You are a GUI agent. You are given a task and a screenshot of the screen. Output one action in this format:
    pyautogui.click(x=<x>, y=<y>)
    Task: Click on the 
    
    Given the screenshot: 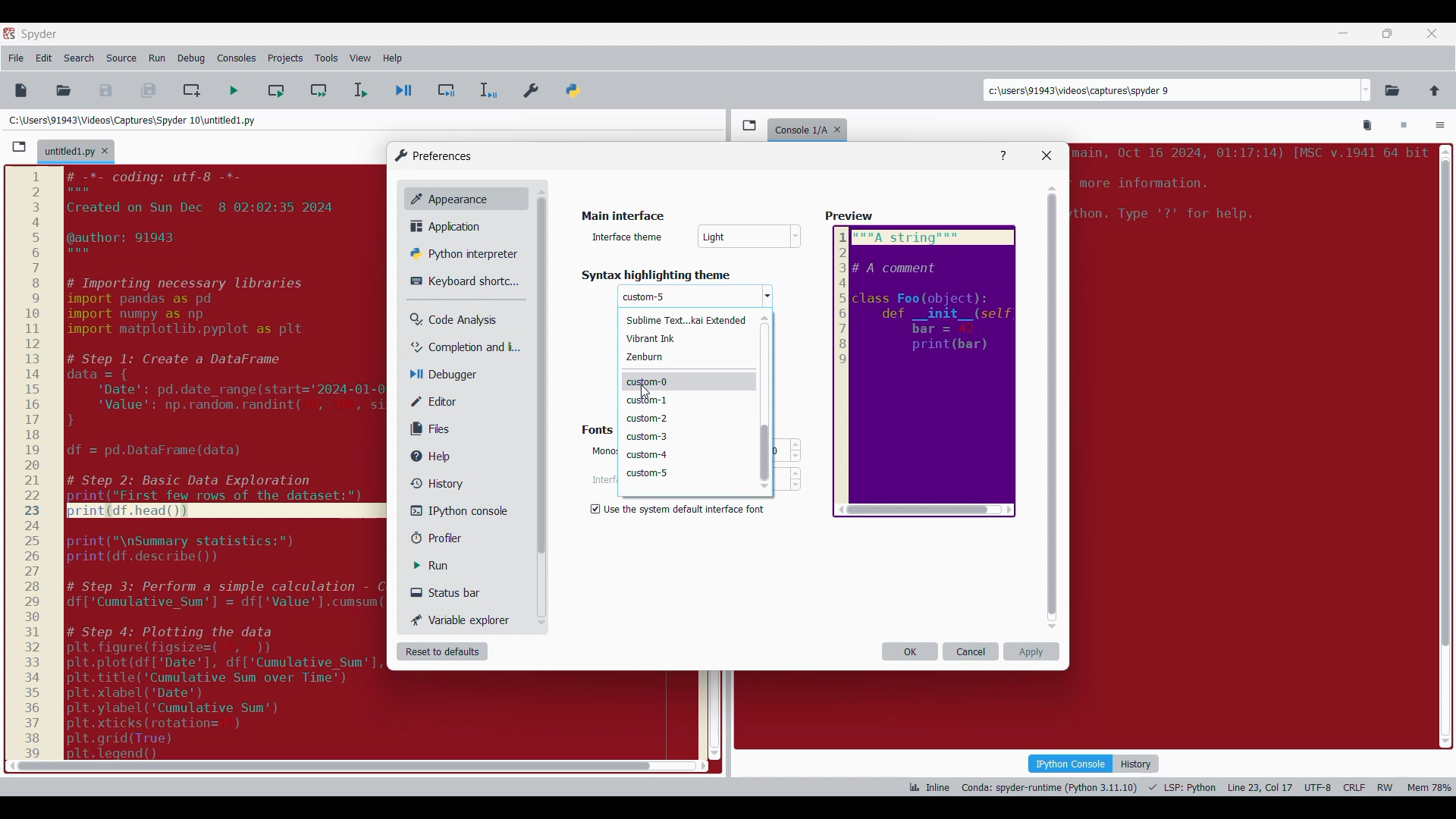 What is the action you would take?
    pyautogui.click(x=641, y=297)
    